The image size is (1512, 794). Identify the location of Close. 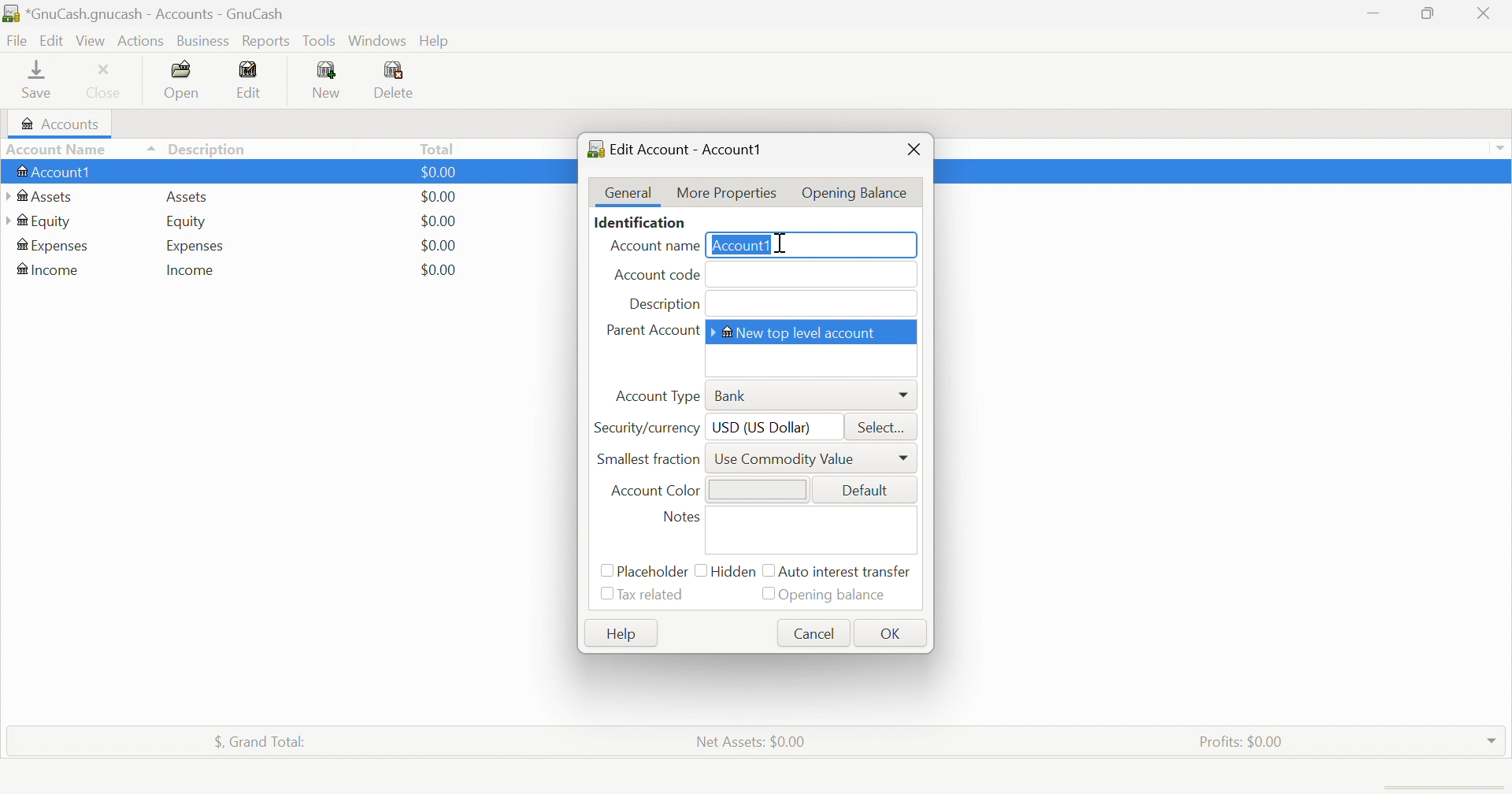
(913, 148).